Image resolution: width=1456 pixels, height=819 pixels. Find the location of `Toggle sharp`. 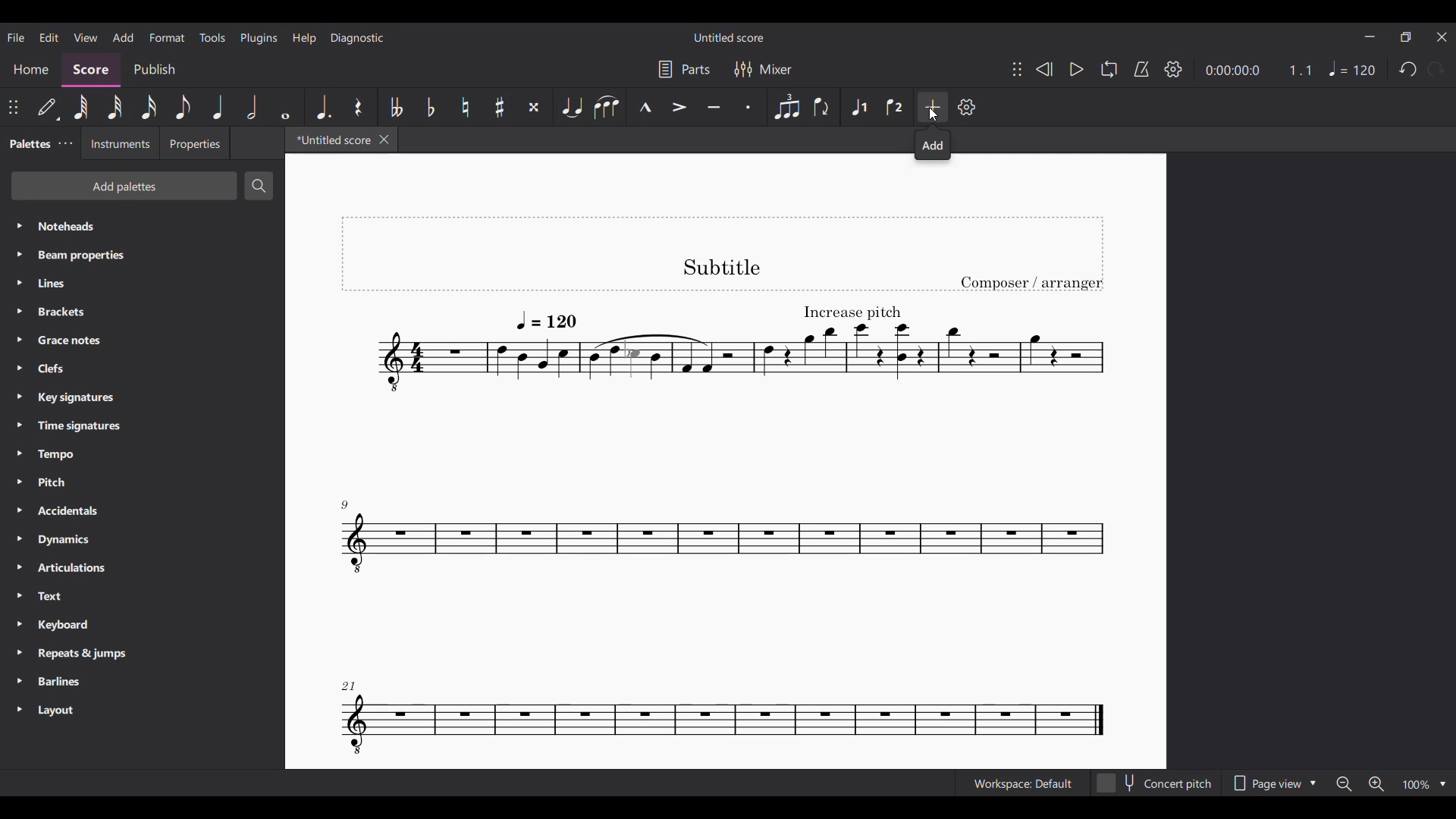

Toggle sharp is located at coordinates (500, 106).